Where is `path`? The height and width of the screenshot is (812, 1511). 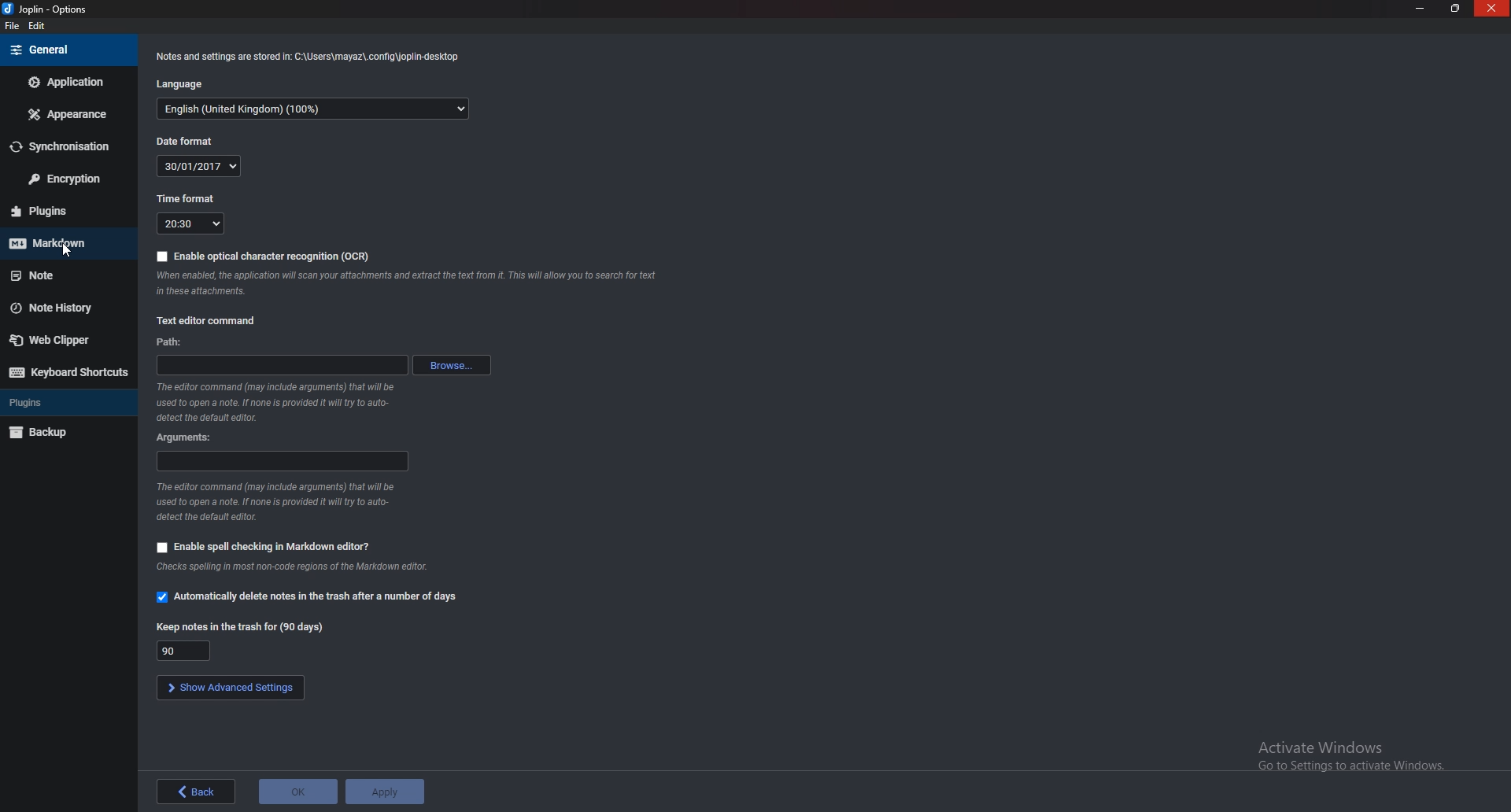
path is located at coordinates (286, 365).